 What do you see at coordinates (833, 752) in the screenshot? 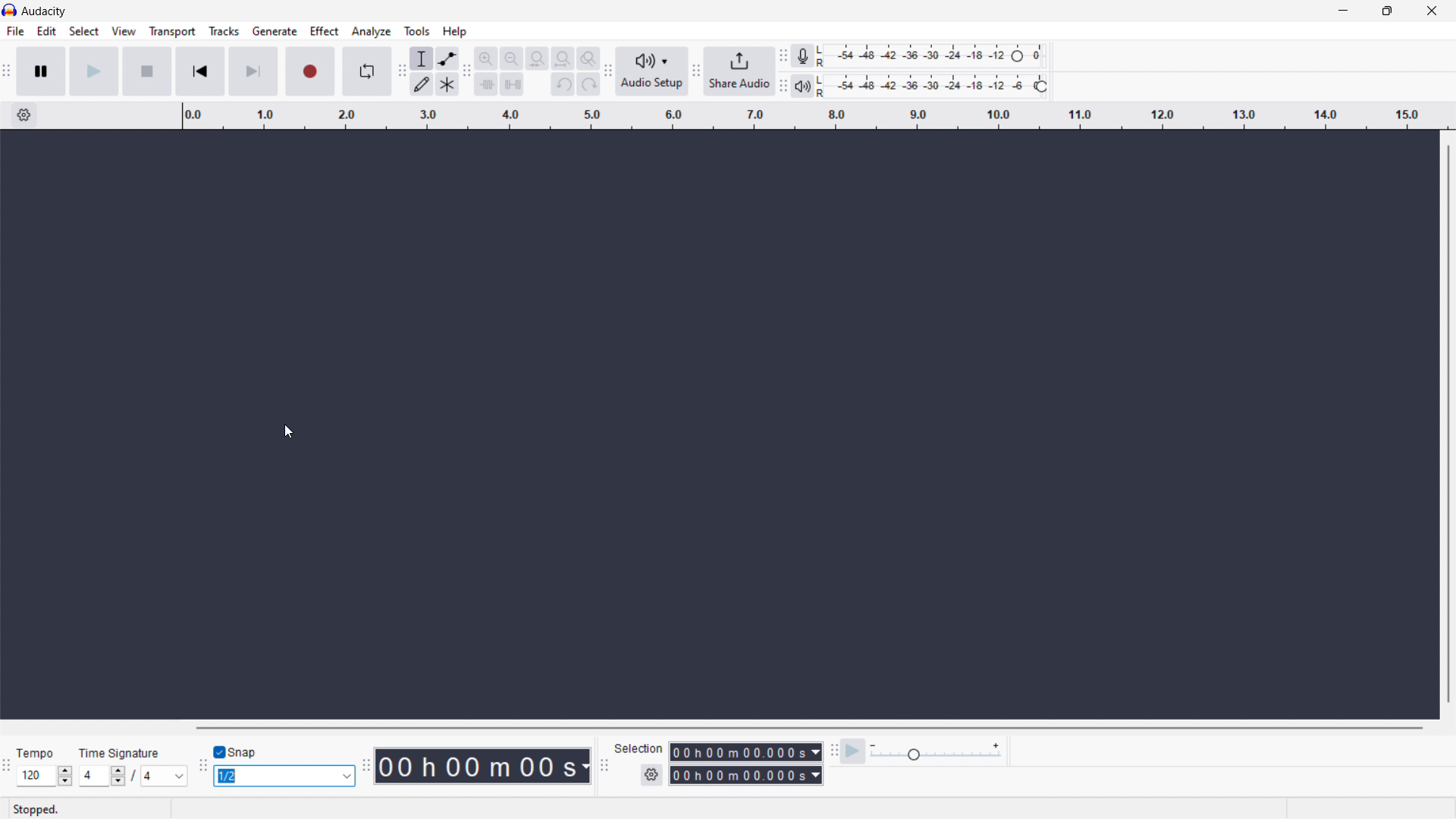
I see `play at speed toolbar` at bounding box center [833, 752].